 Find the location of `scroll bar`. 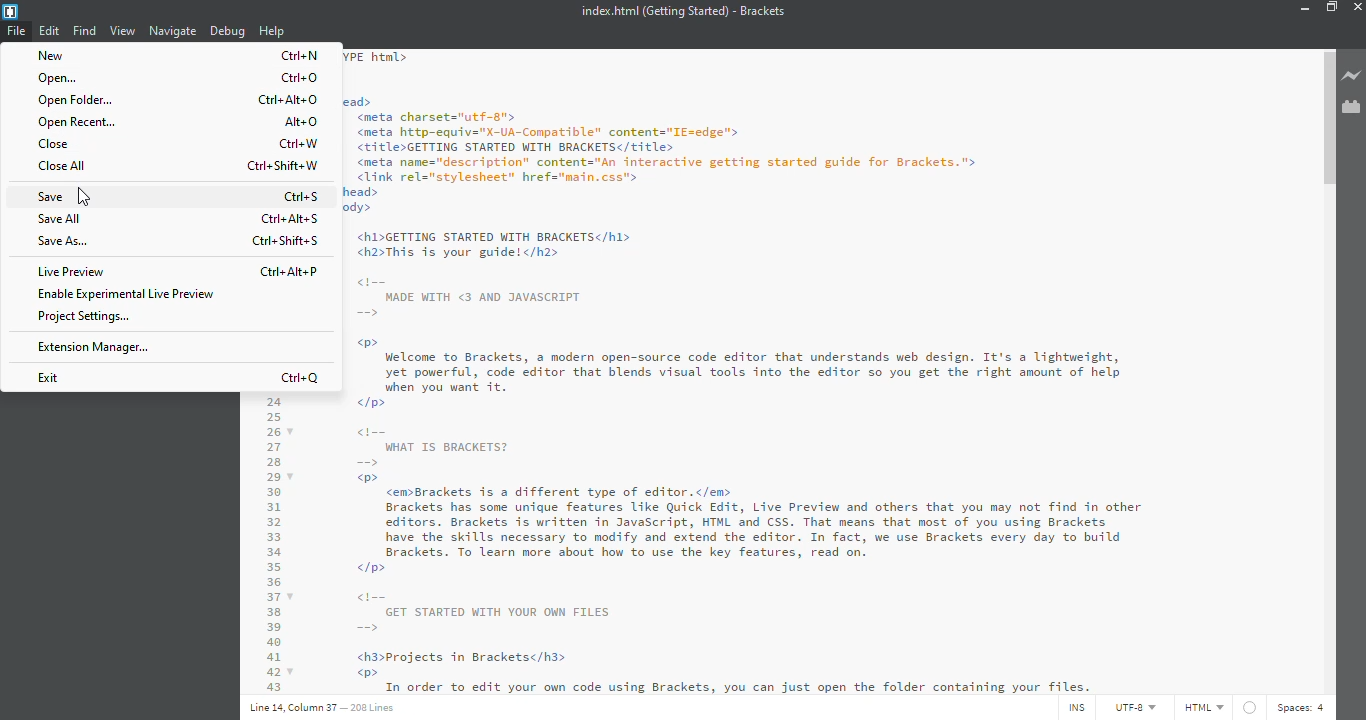

scroll bar is located at coordinates (1325, 118).